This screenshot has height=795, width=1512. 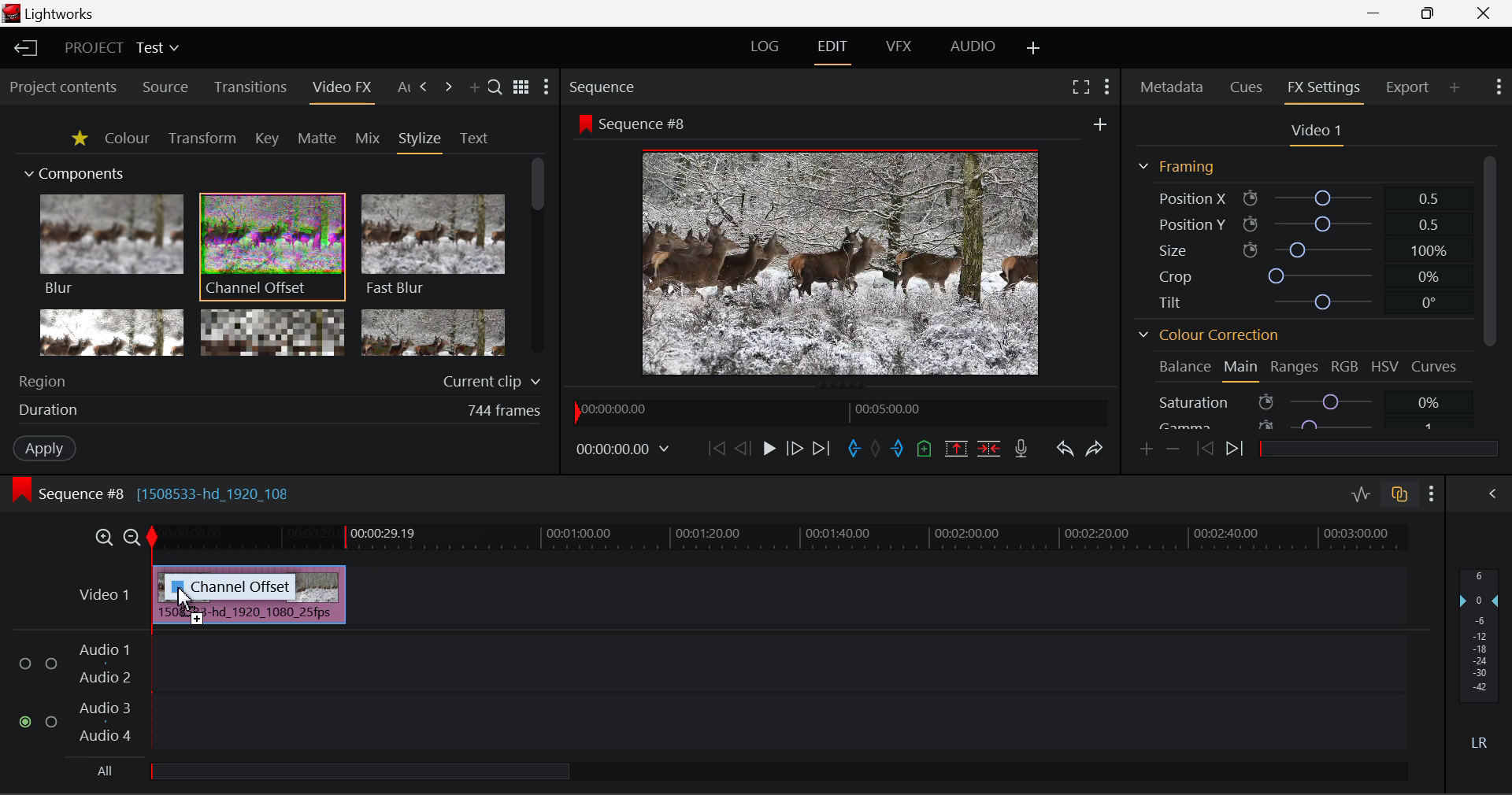 What do you see at coordinates (548, 87) in the screenshot?
I see `Show Settings` at bounding box center [548, 87].